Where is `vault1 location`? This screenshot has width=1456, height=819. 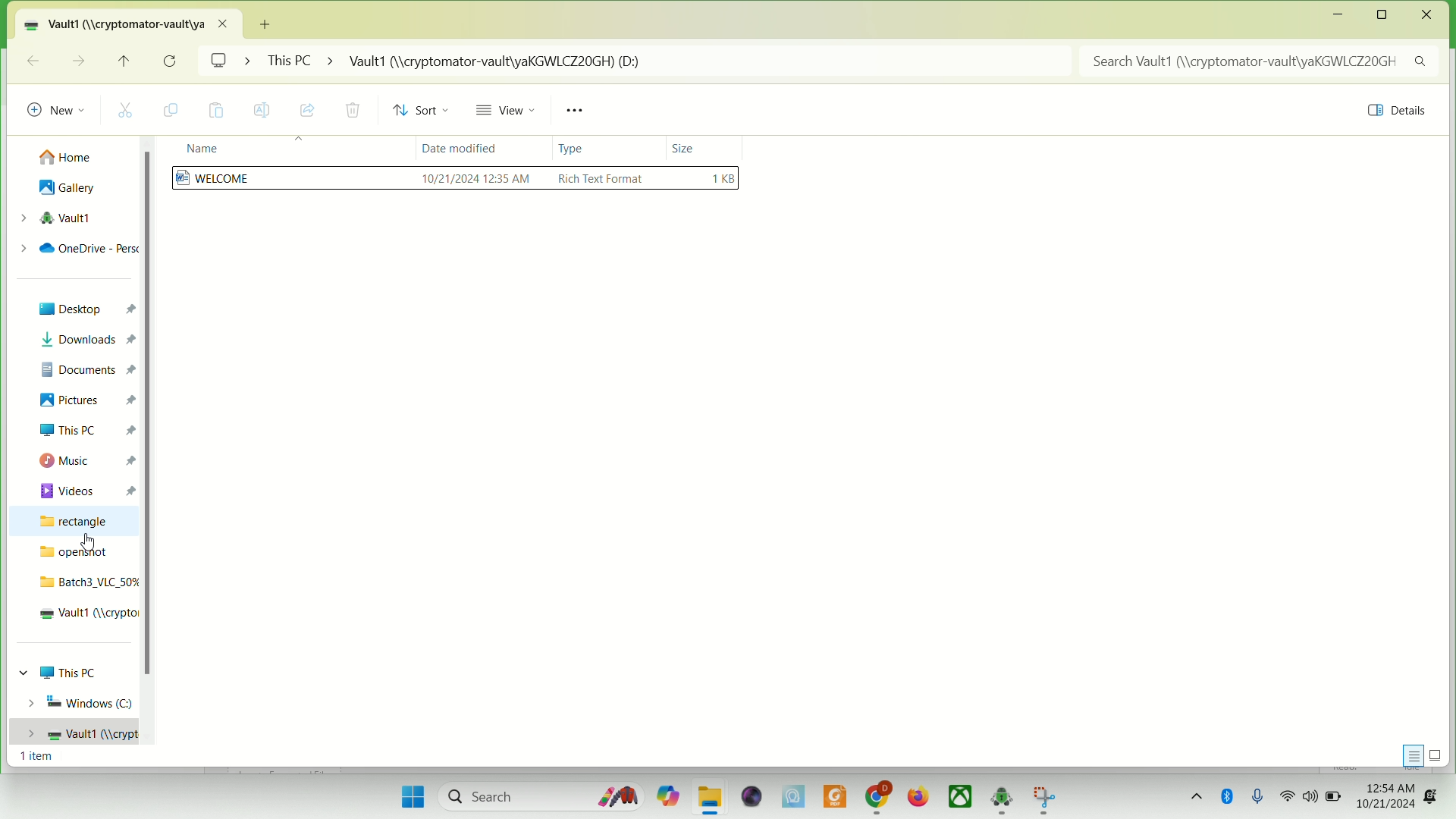
vault1 location is located at coordinates (133, 23).